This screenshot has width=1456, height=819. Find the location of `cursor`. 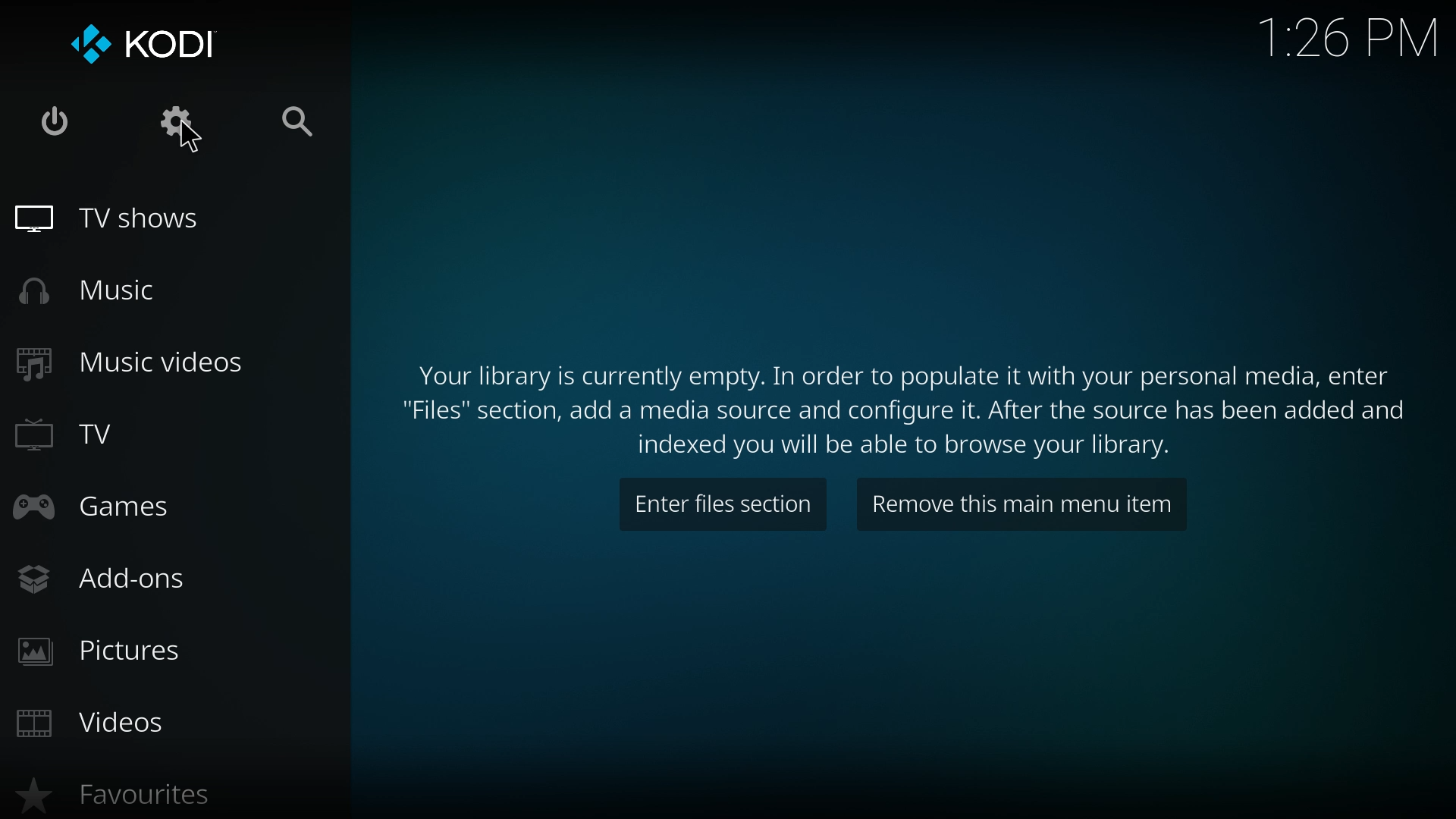

cursor is located at coordinates (188, 136).